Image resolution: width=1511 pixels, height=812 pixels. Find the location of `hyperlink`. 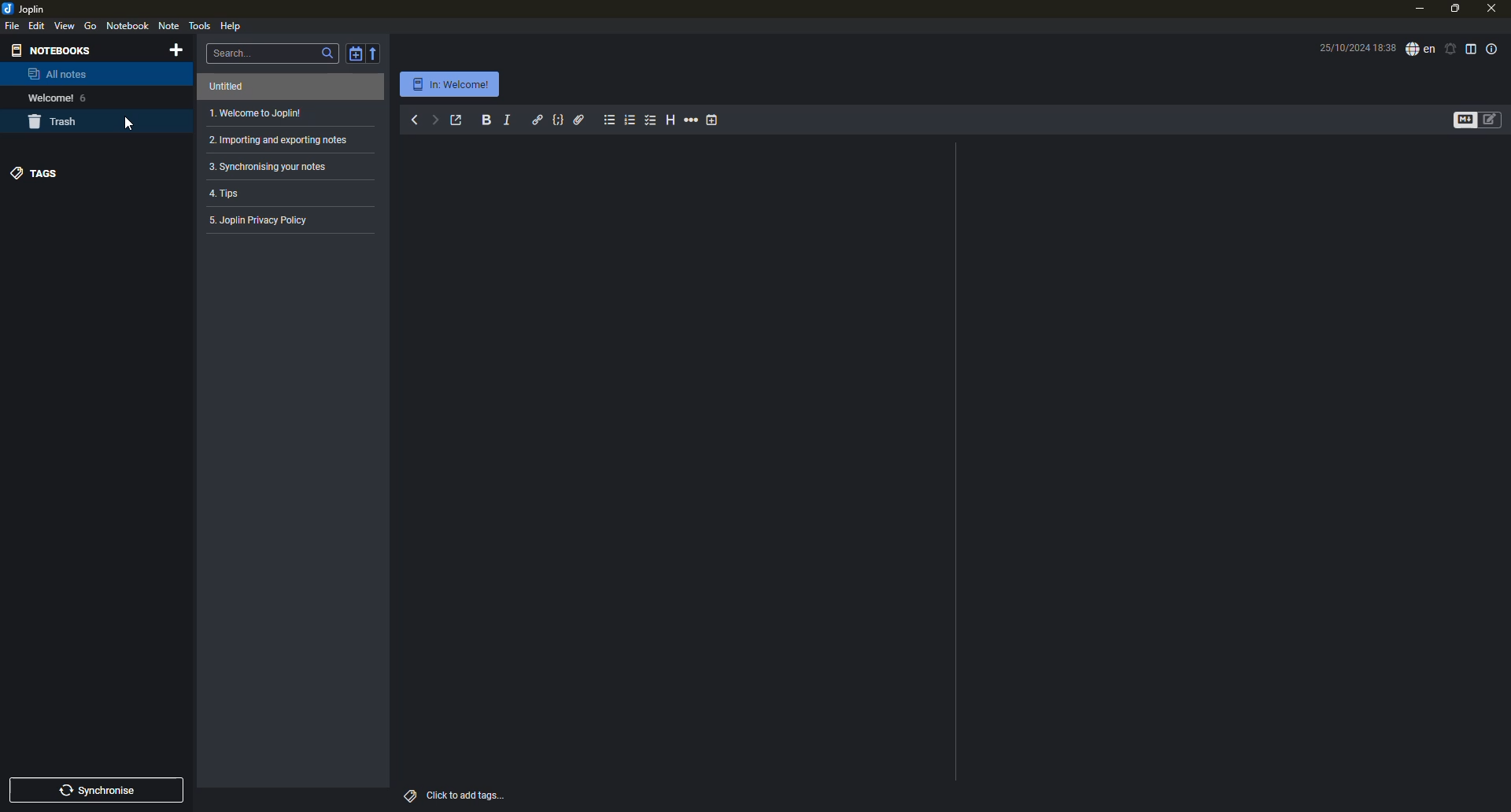

hyperlink is located at coordinates (537, 119).